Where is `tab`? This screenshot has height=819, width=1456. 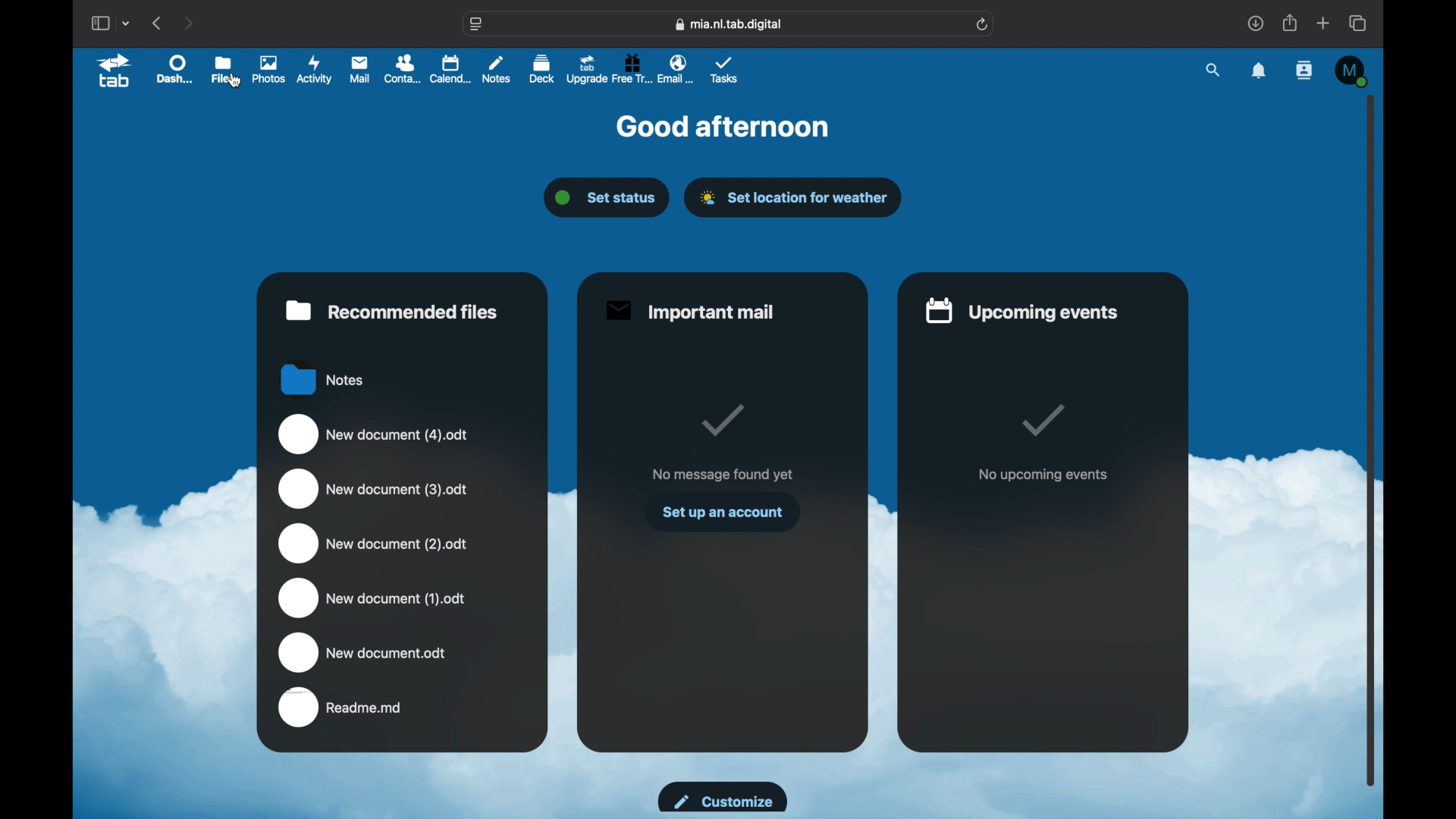
tab is located at coordinates (114, 72).